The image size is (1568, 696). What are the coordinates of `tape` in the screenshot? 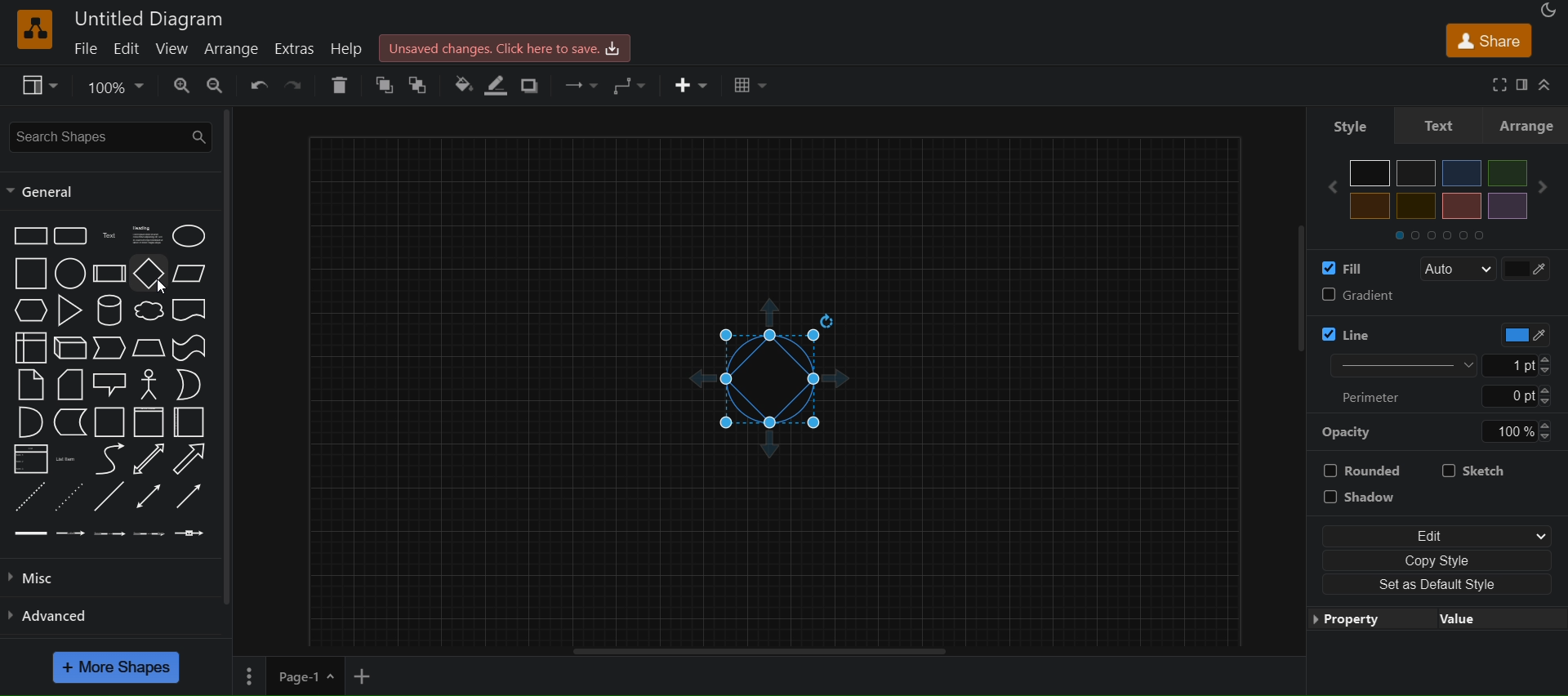 It's located at (190, 346).